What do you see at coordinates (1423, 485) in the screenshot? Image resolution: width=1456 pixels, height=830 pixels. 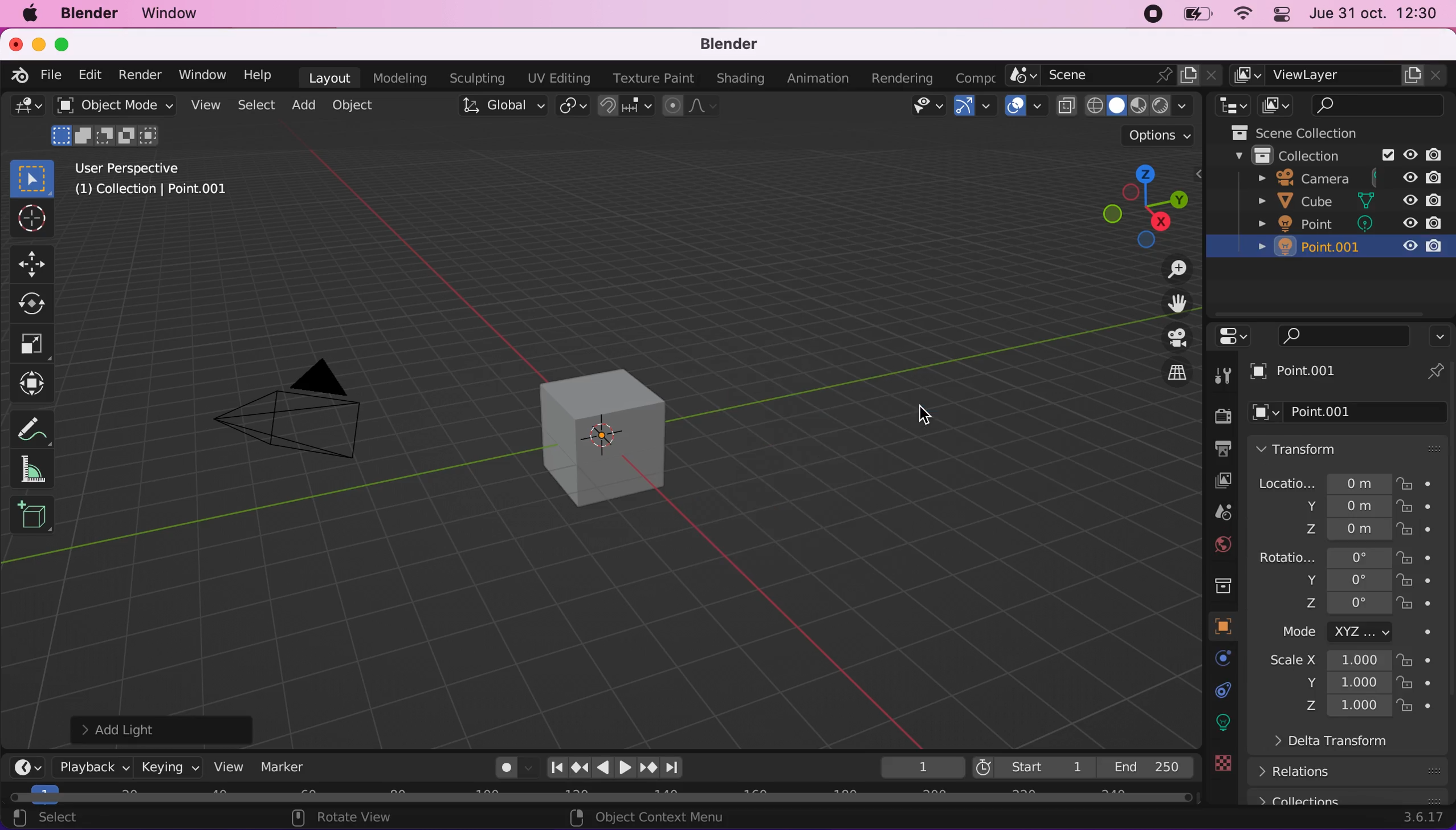 I see `lock` at bounding box center [1423, 485].